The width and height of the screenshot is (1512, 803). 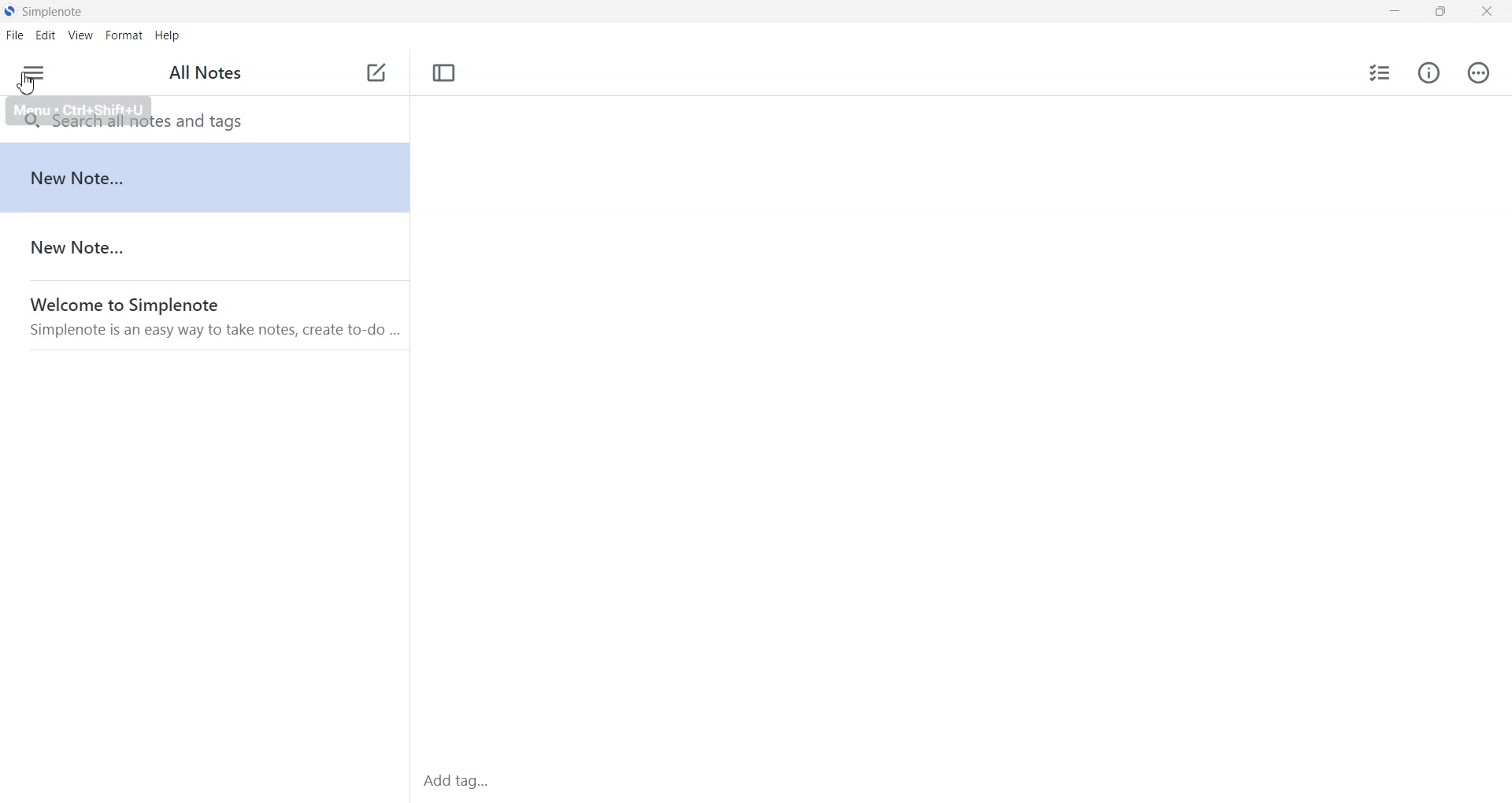 What do you see at coordinates (1428, 73) in the screenshot?
I see `Info` at bounding box center [1428, 73].